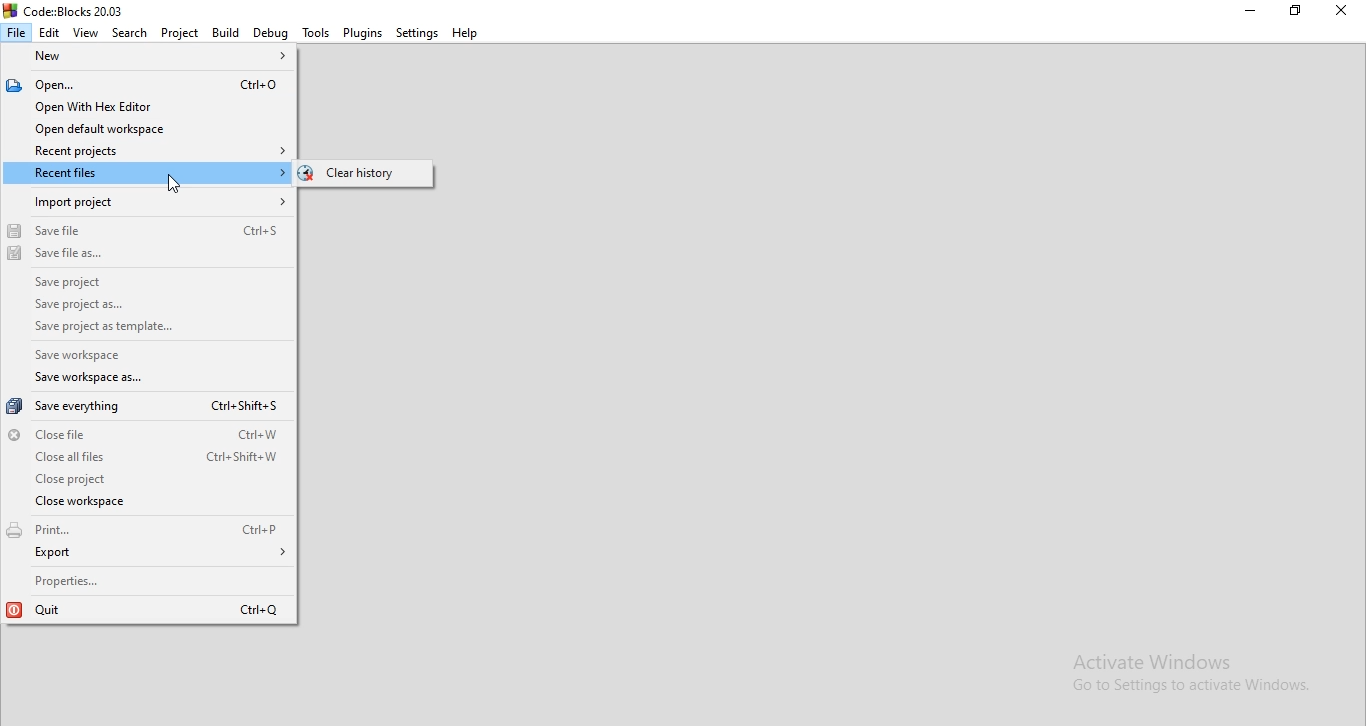 The width and height of the screenshot is (1366, 726). Describe the element at coordinates (149, 557) in the screenshot. I see `Export` at that location.